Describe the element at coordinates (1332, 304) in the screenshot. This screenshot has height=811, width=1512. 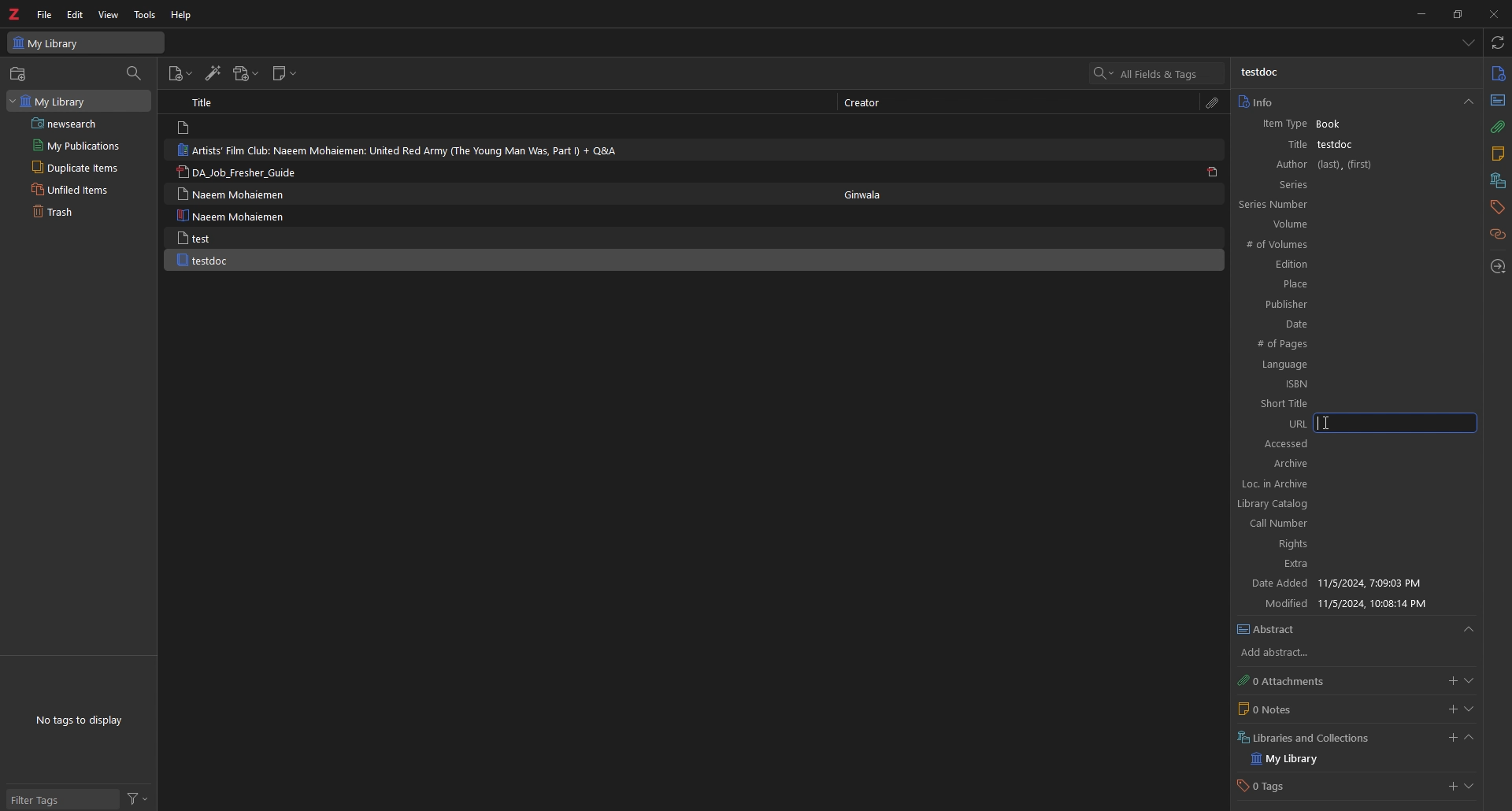
I see `Publisher` at that location.